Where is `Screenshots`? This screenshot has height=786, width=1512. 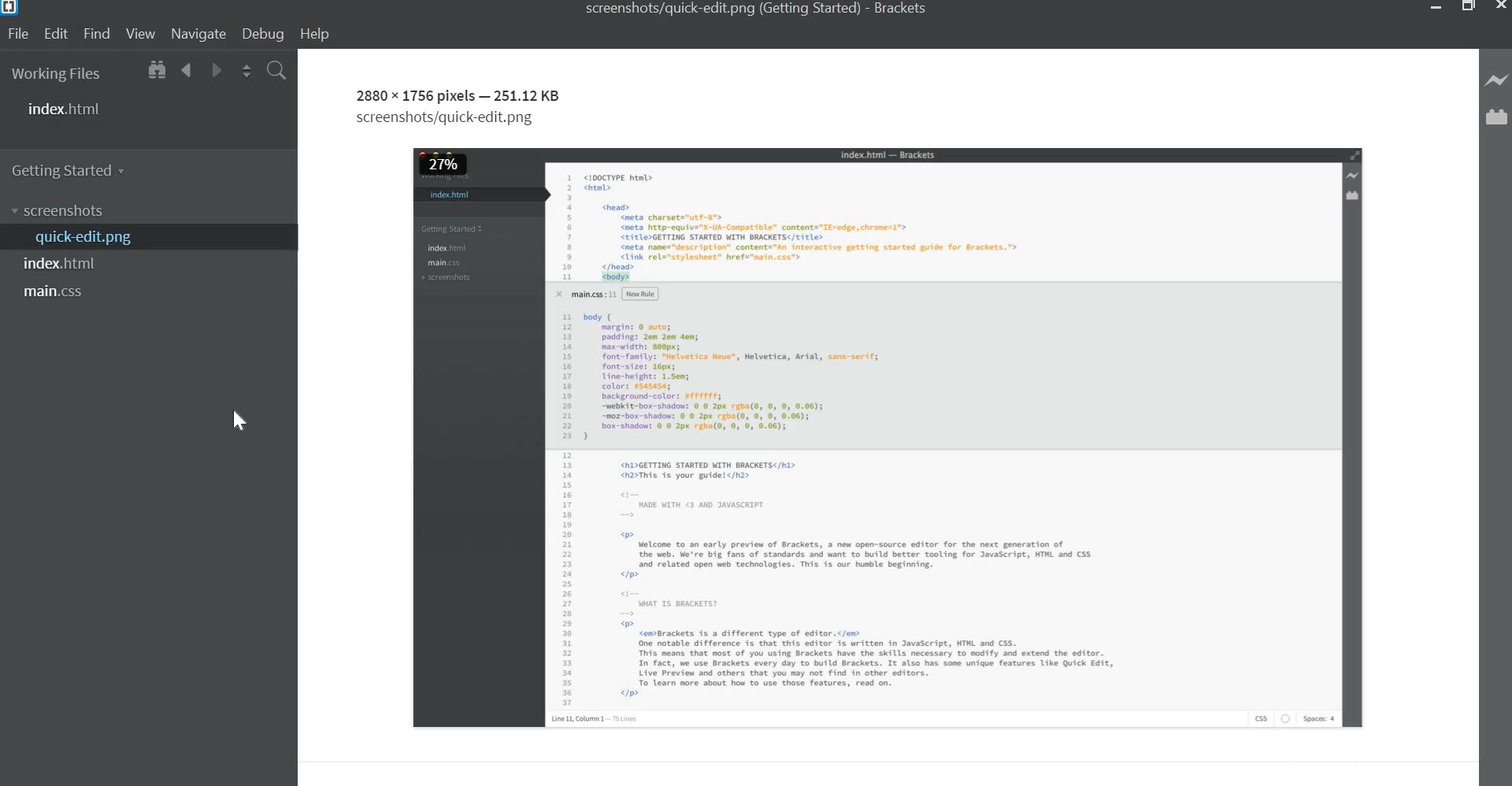 Screenshots is located at coordinates (61, 211).